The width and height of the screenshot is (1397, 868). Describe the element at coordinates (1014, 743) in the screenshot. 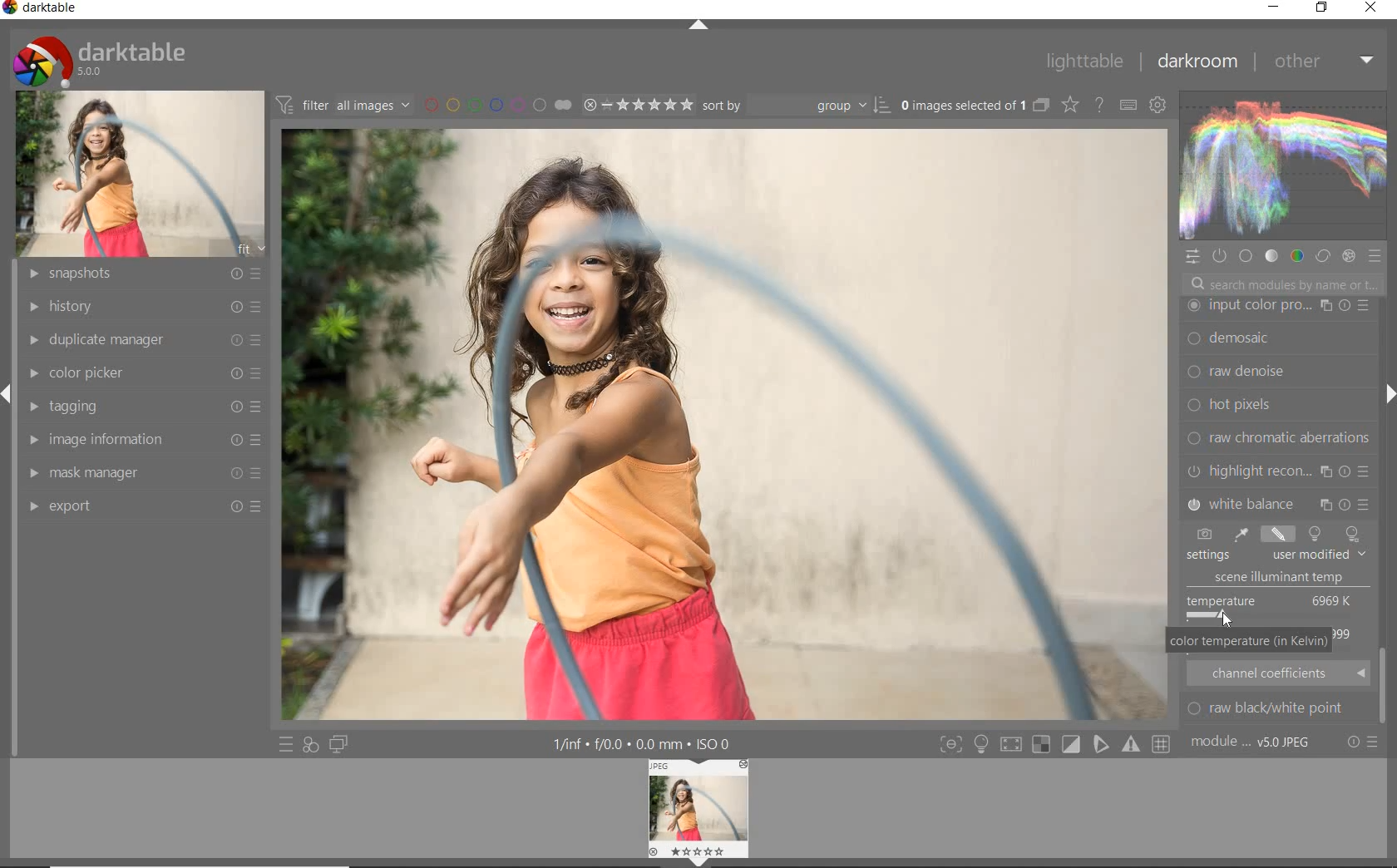

I see `toggle mode ` at that location.